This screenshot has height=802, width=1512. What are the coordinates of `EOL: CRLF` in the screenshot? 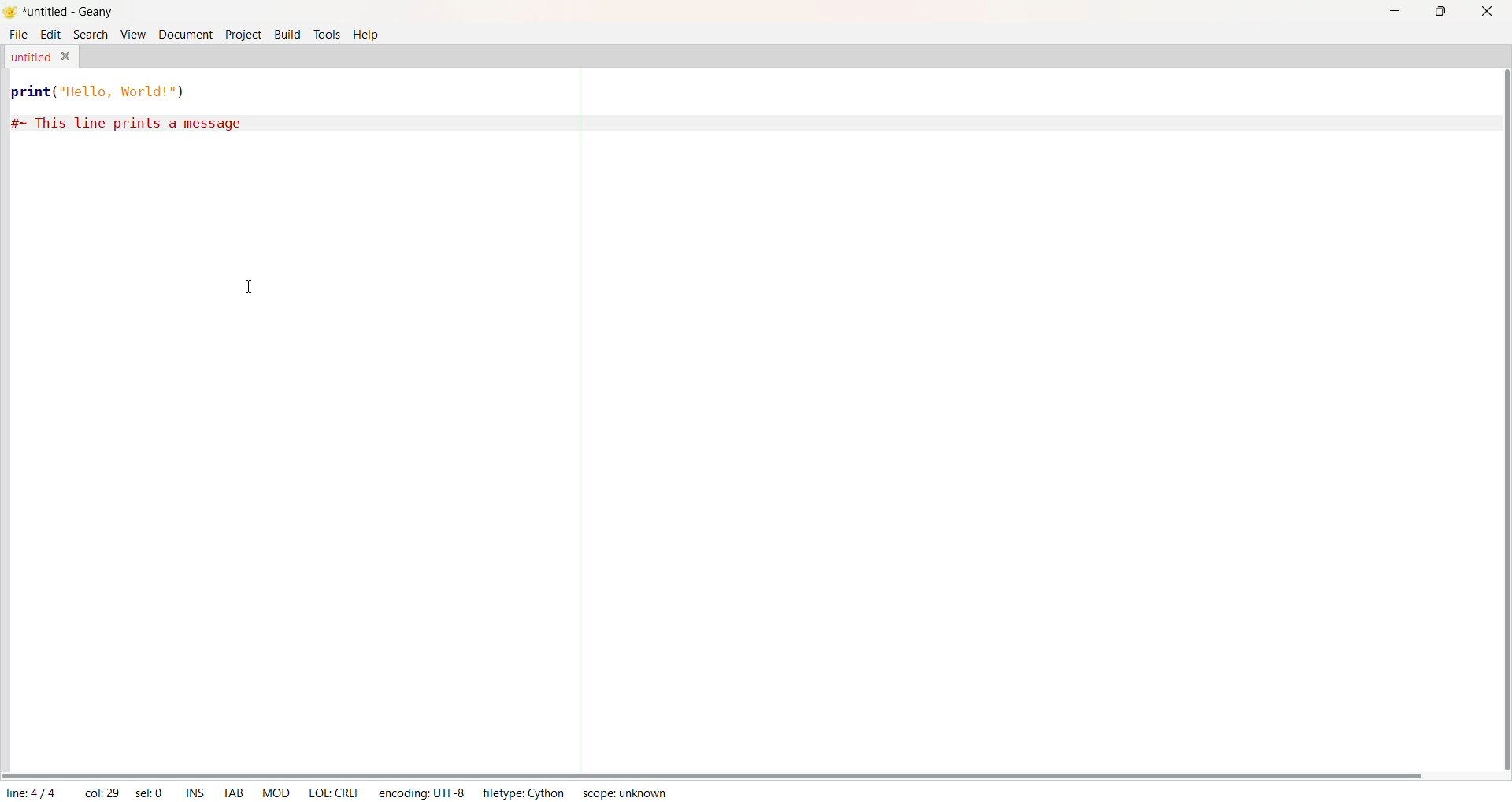 It's located at (333, 792).